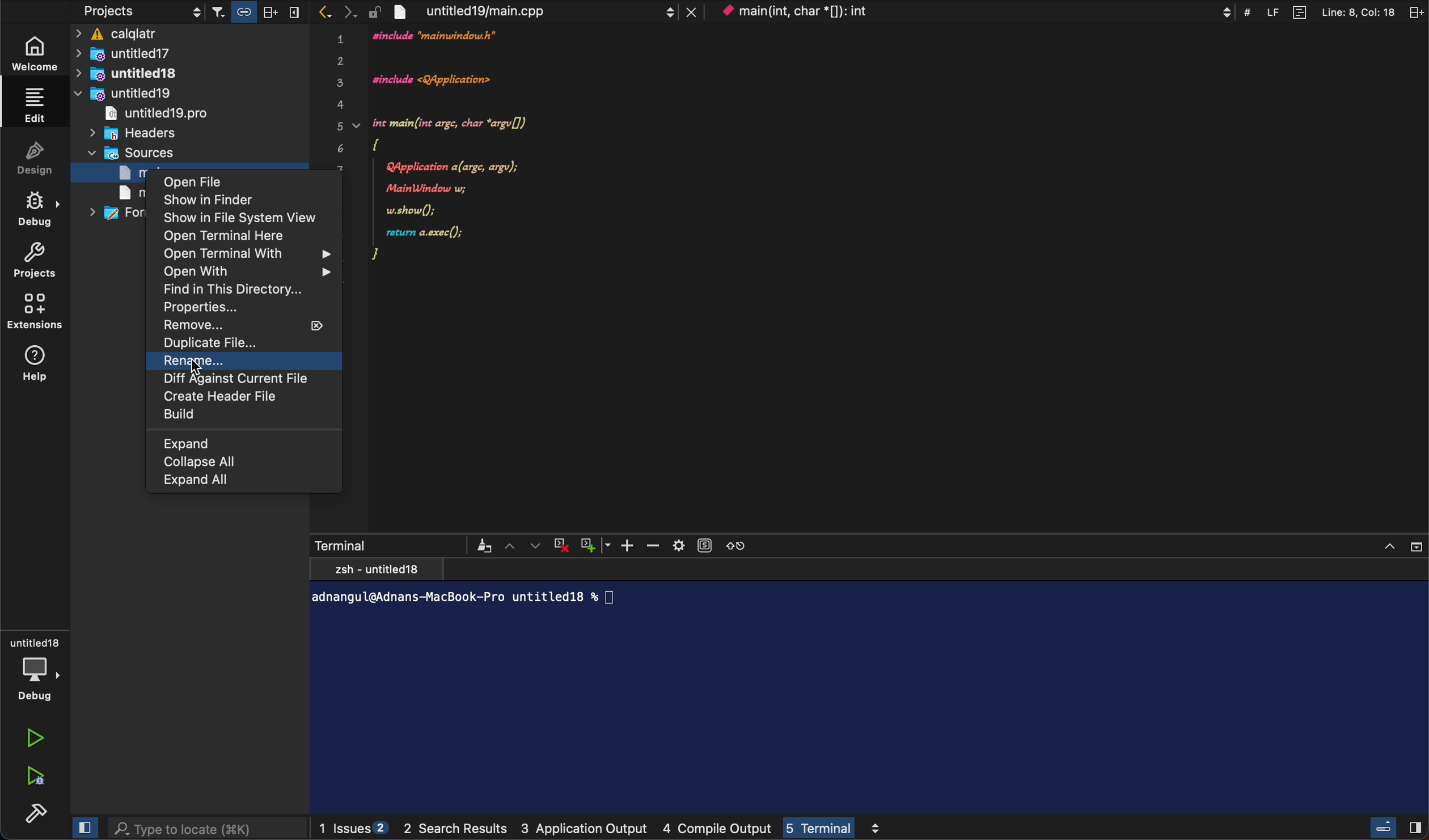 The width and height of the screenshot is (1429, 840). What do you see at coordinates (40, 52) in the screenshot?
I see `weLcome` at bounding box center [40, 52].